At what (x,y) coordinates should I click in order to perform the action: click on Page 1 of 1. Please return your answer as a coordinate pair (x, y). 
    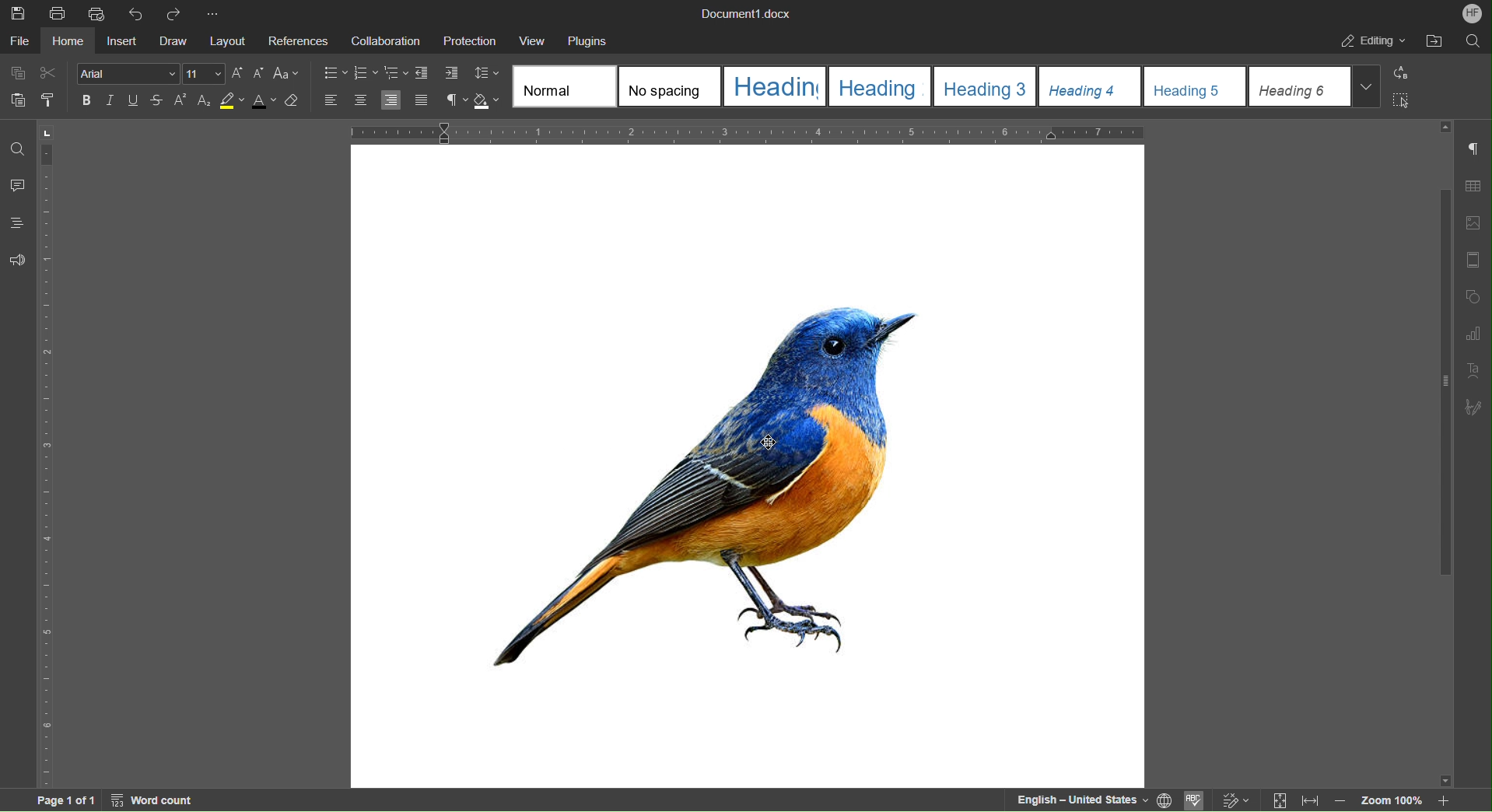
    Looking at the image, I should click on (54, 800).